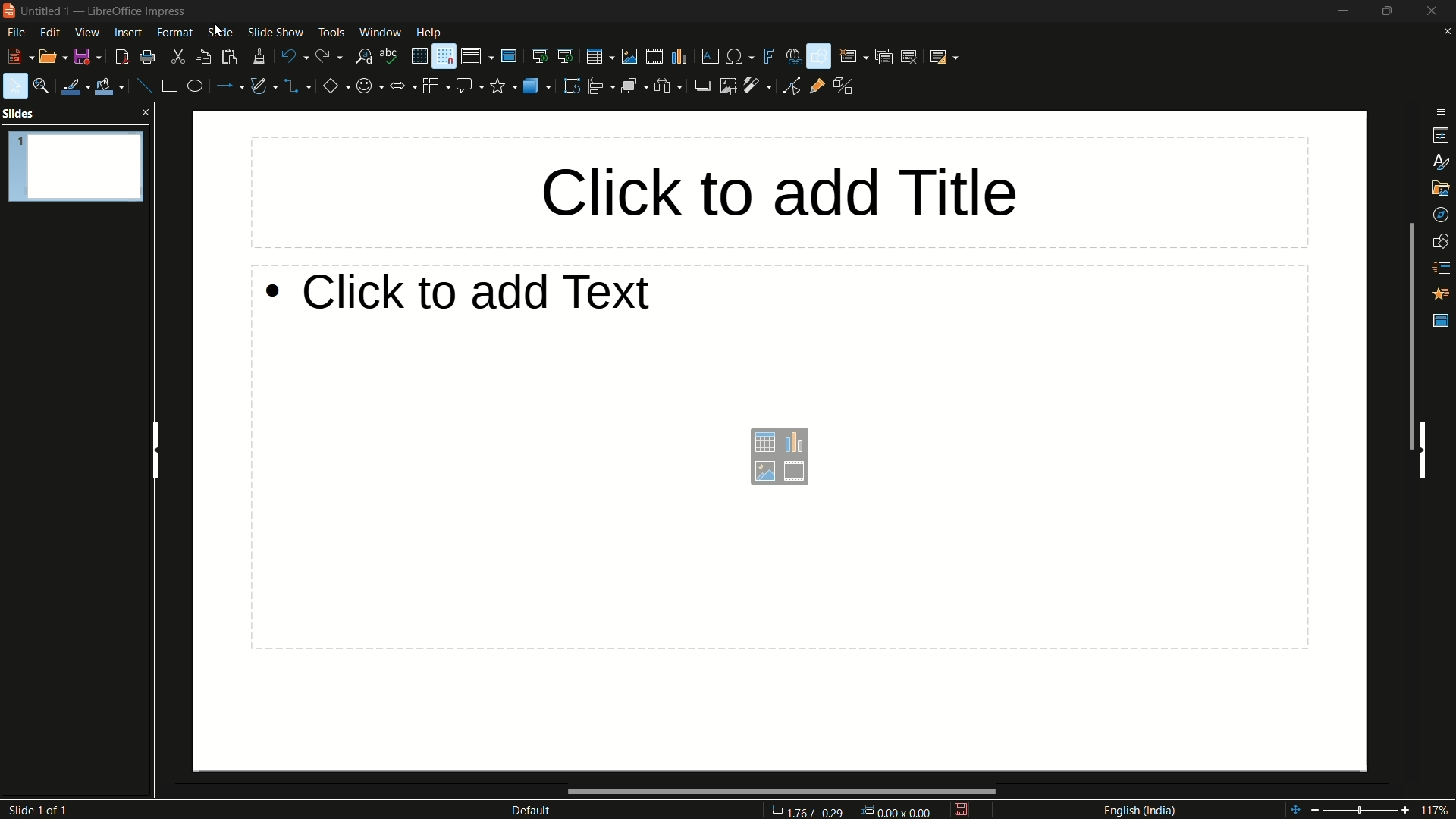 The height and width of the screenshot is (819, 1456). What do you see at coordinates (818, 56) in the screenshot?
I see `show draw functions` at bounding box center [818, 56].